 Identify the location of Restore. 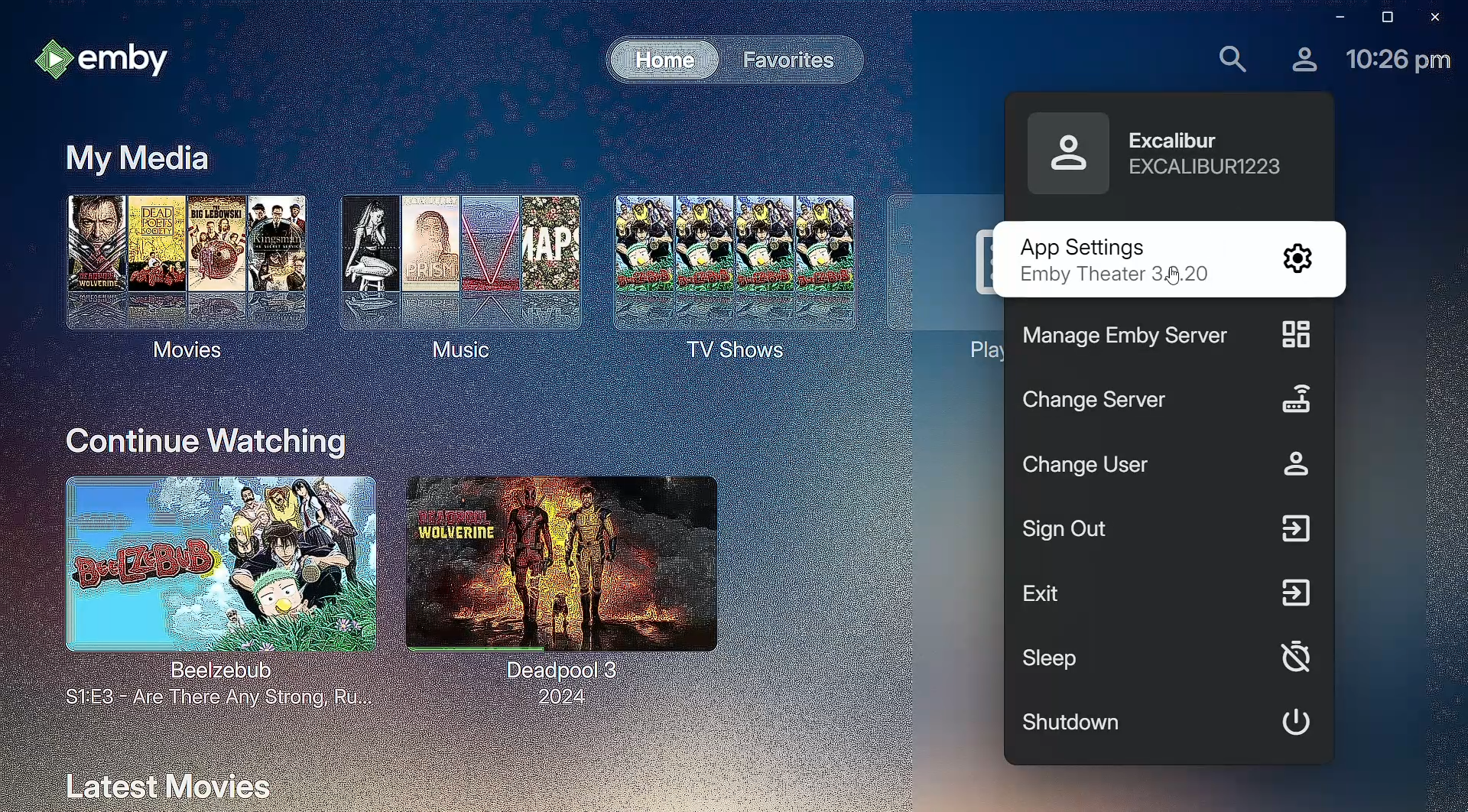
(1384, 17).